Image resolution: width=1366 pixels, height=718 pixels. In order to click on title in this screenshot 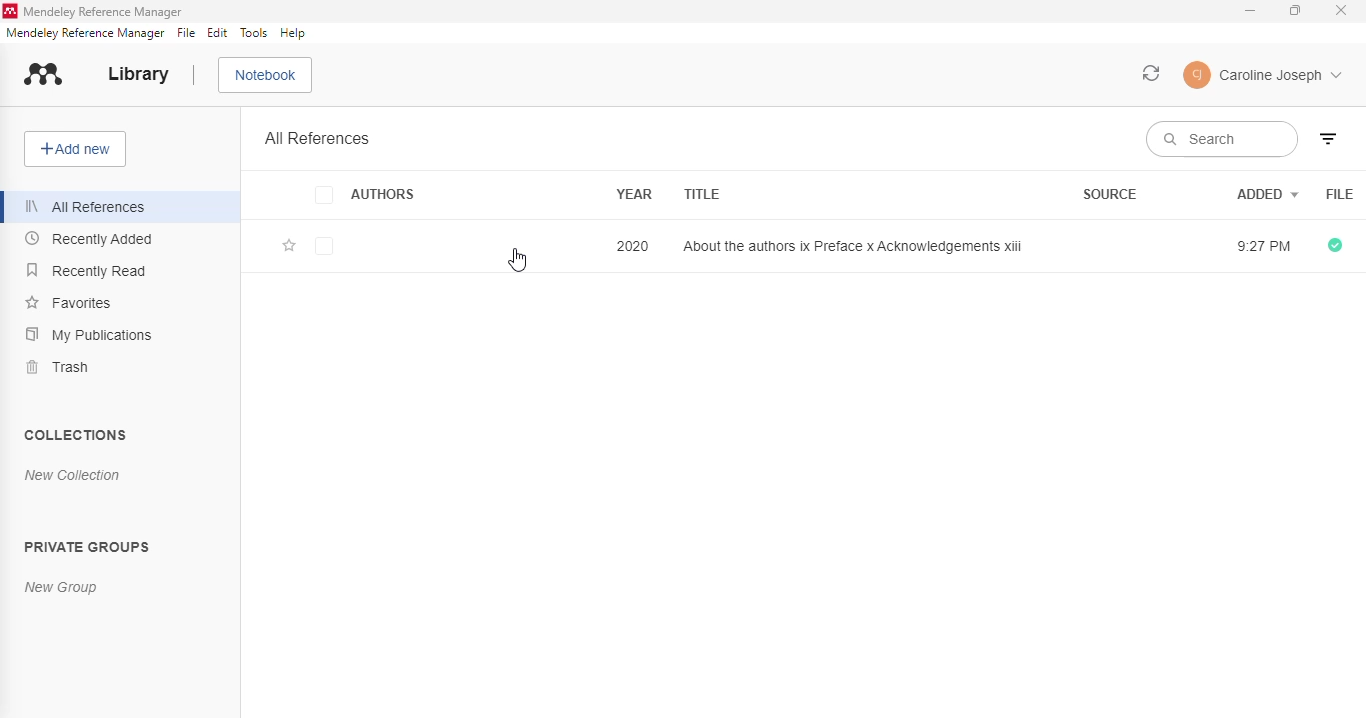, I will do `click(701, 194)`.